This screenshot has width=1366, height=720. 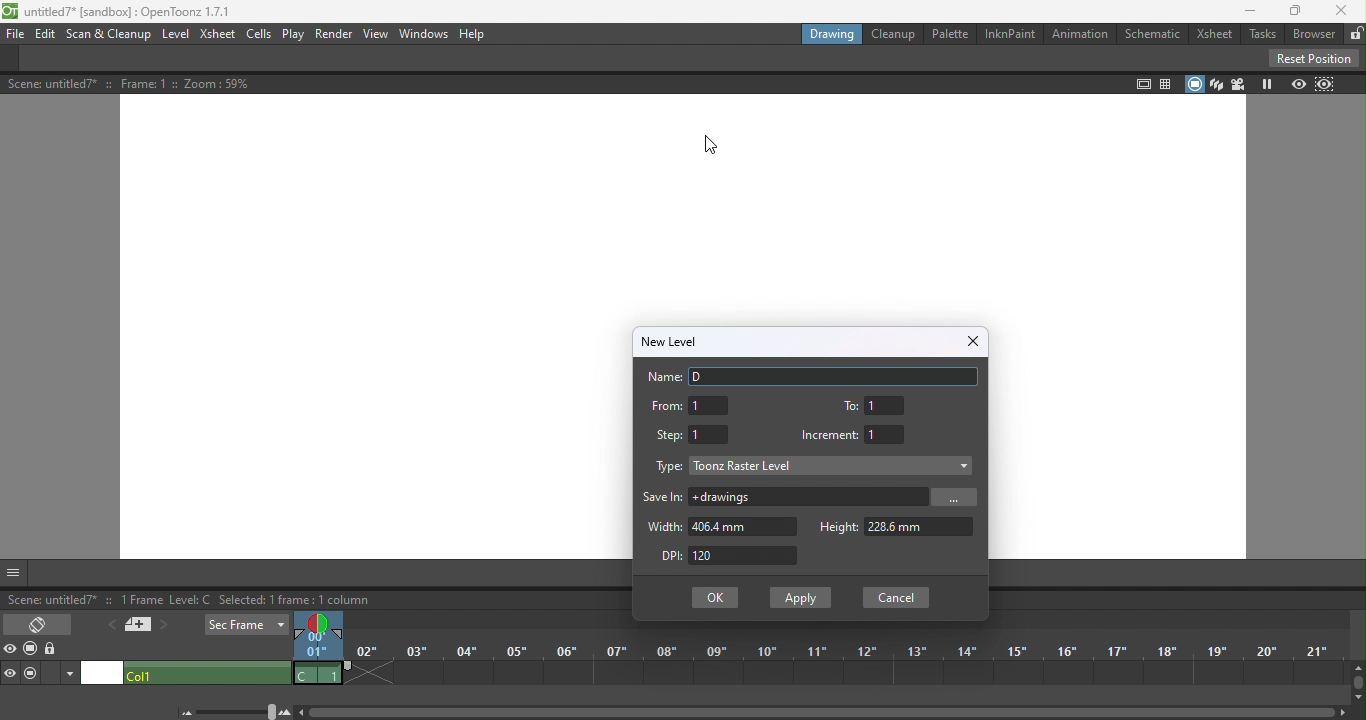 I want to click on Maximize, so click(x=1289, y=11).